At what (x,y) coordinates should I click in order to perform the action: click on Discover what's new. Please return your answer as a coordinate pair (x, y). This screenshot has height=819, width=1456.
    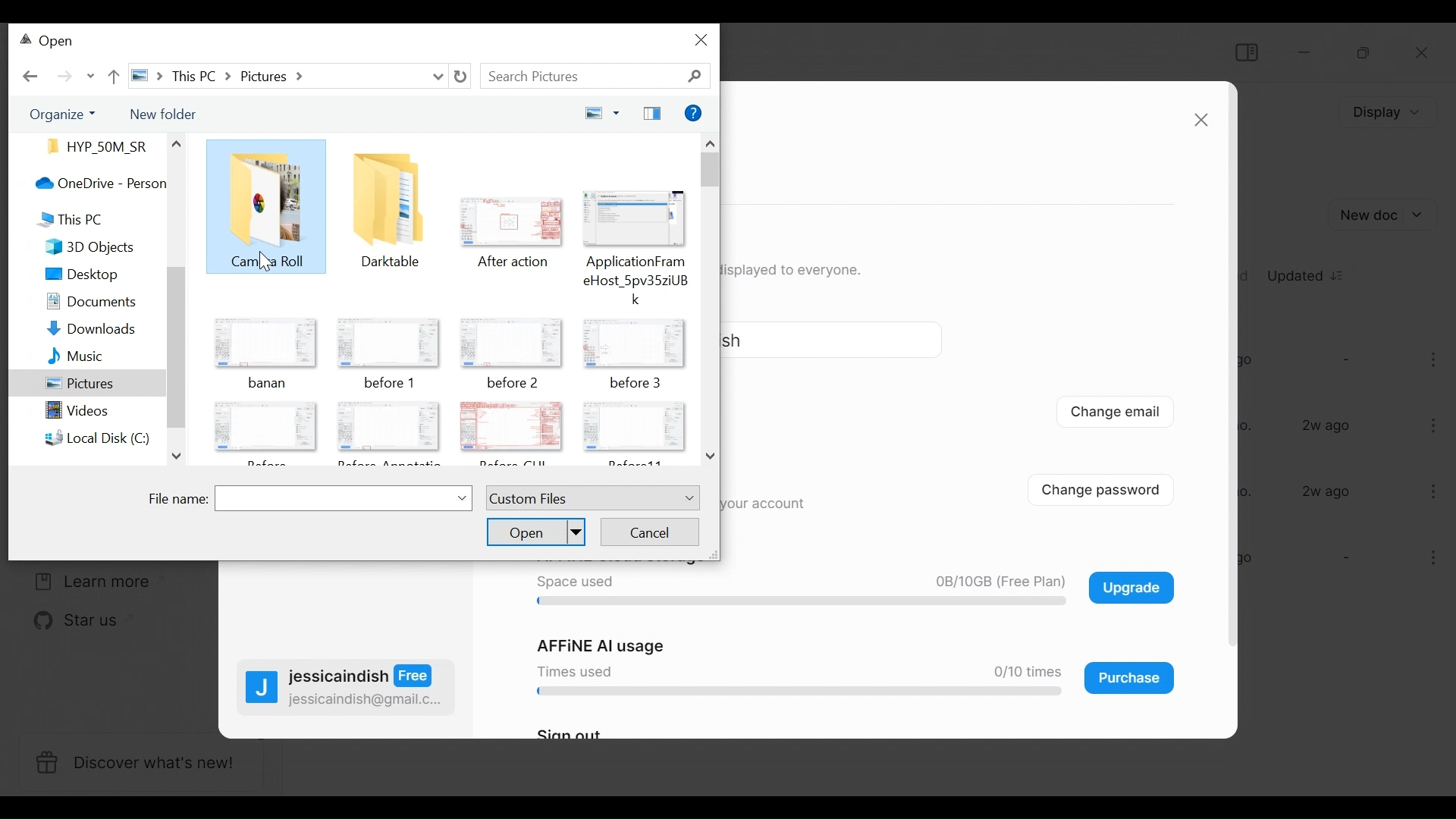
    Looking at the image, I should click on (140, 764).